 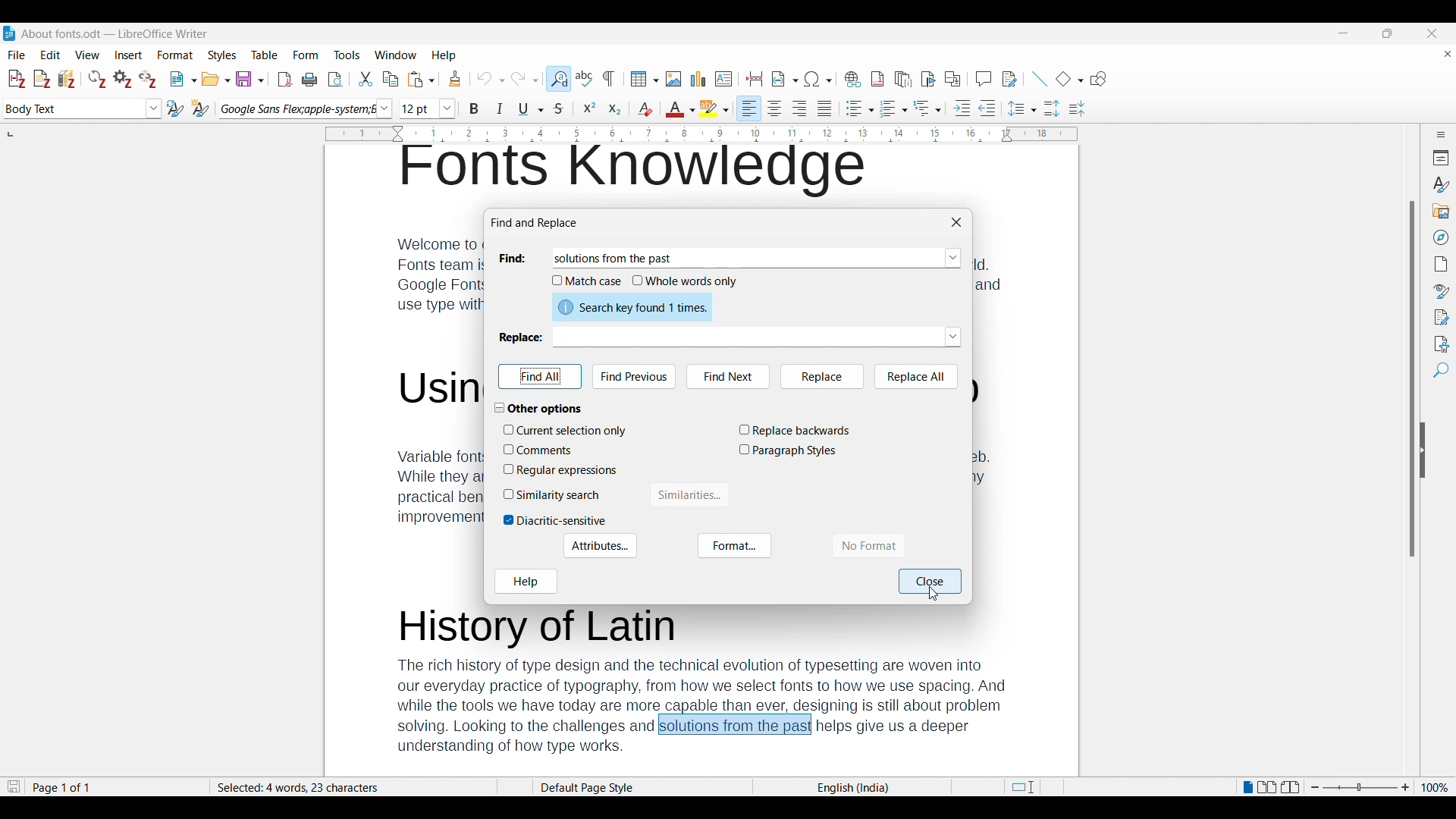 I want to click on Toggle formatting marks, so click(x=610, y=79).